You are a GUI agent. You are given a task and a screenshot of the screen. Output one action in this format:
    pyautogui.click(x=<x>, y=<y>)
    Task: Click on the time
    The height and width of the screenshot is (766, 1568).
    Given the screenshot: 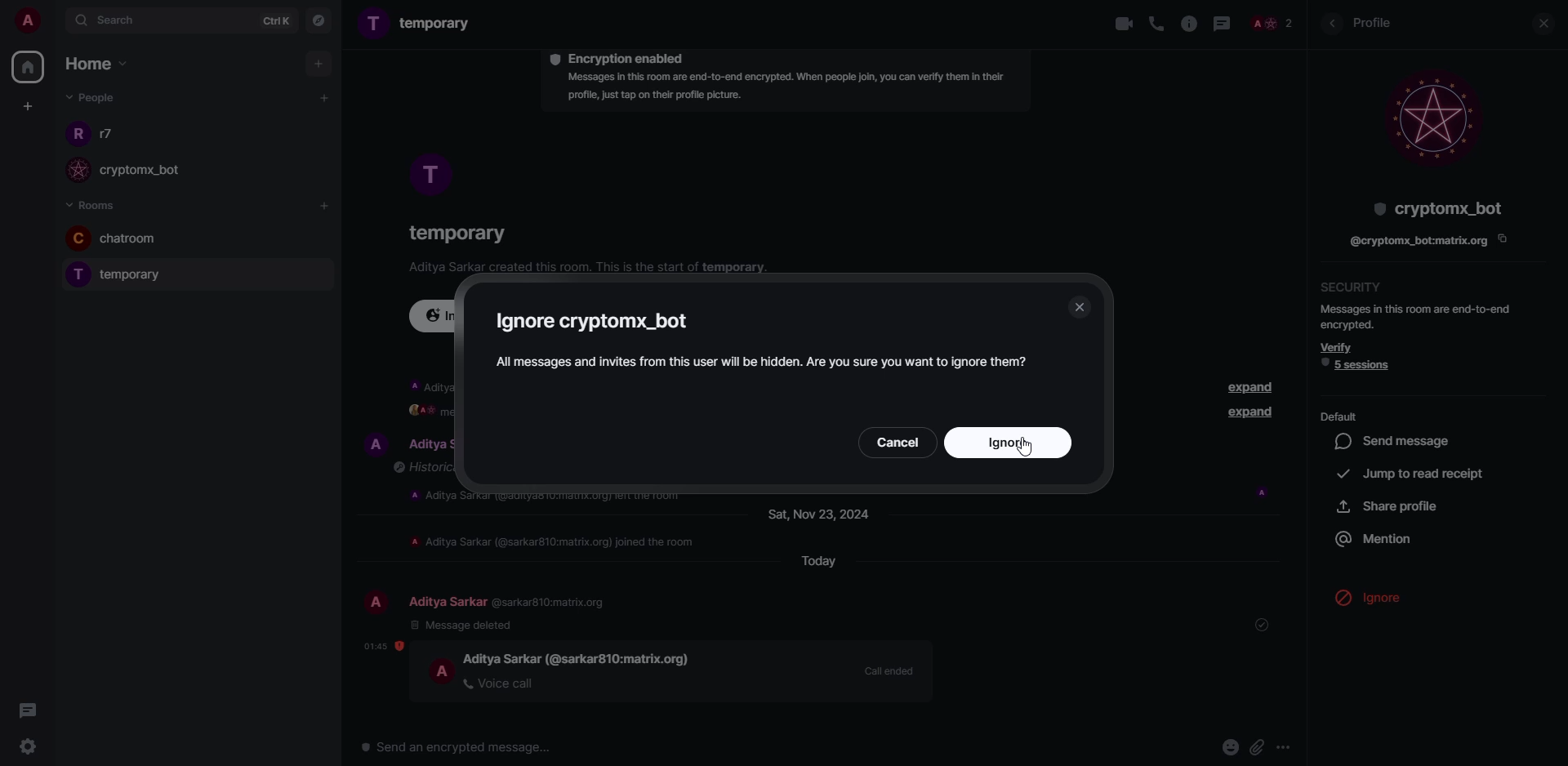 What is the action you would take?
    pyautogui.click(x=383, y=646)
    